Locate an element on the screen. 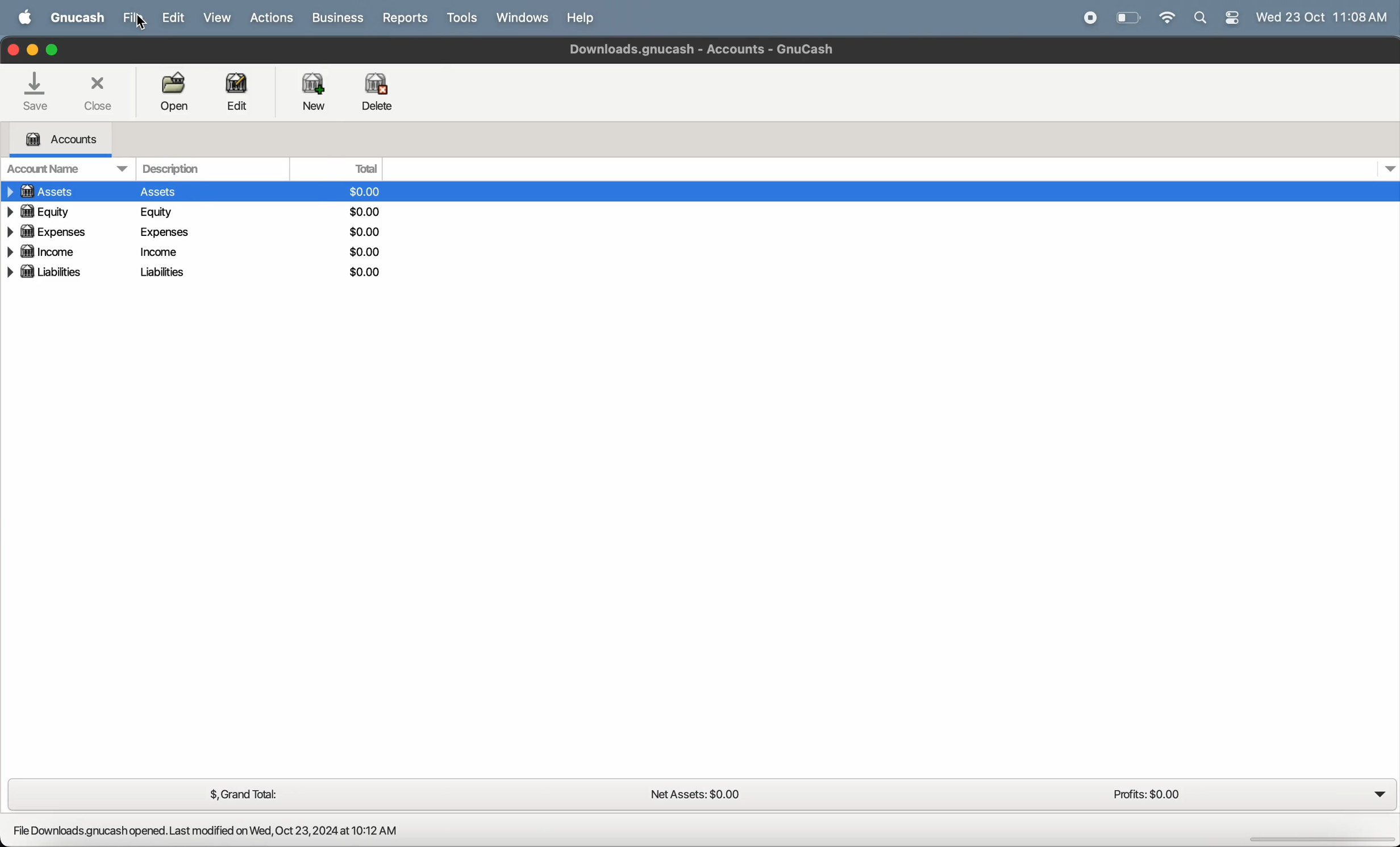  battery is located at coordinates (1127, 18).